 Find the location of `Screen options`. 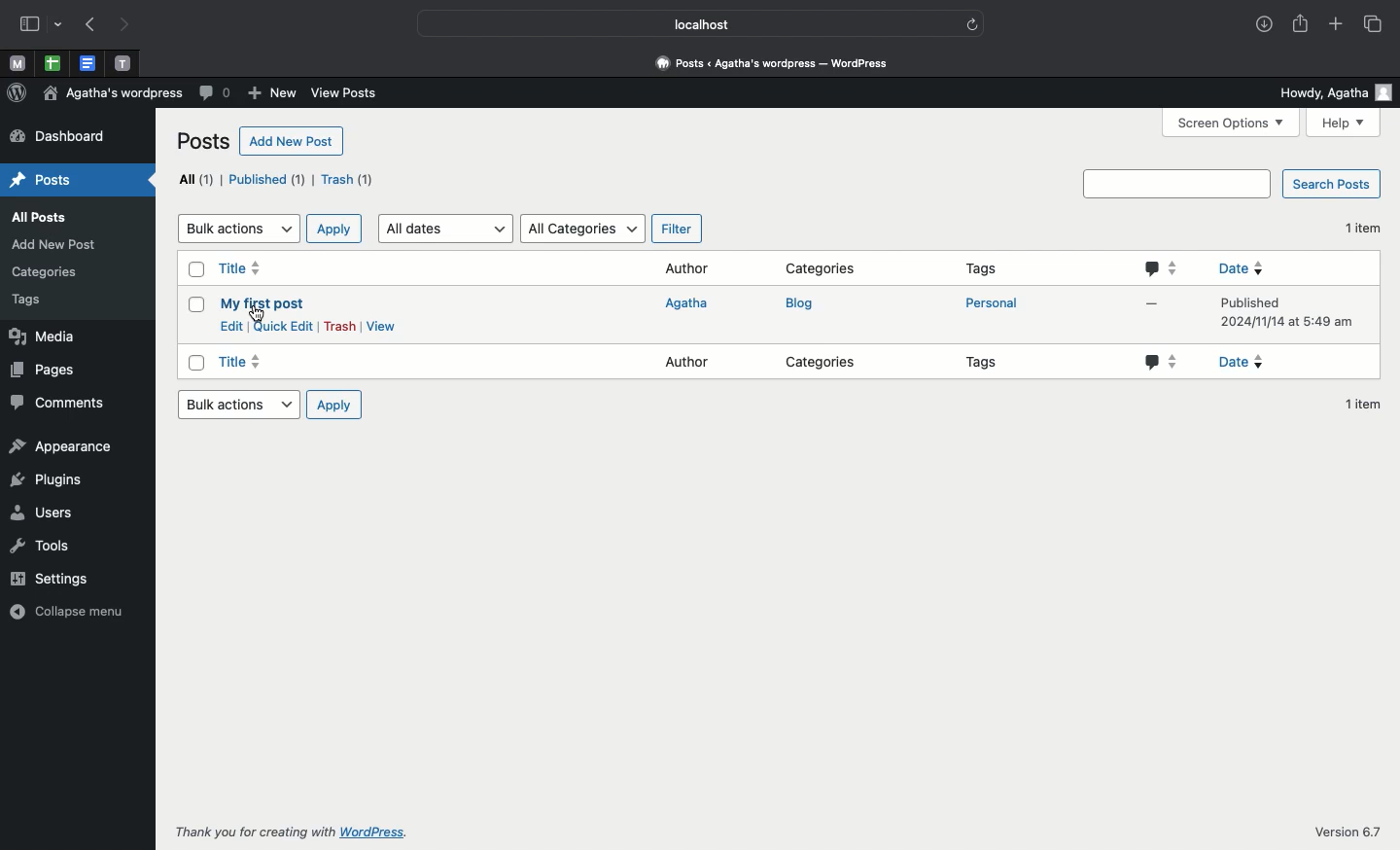

Screen options is located at coordinates (1233, 123).